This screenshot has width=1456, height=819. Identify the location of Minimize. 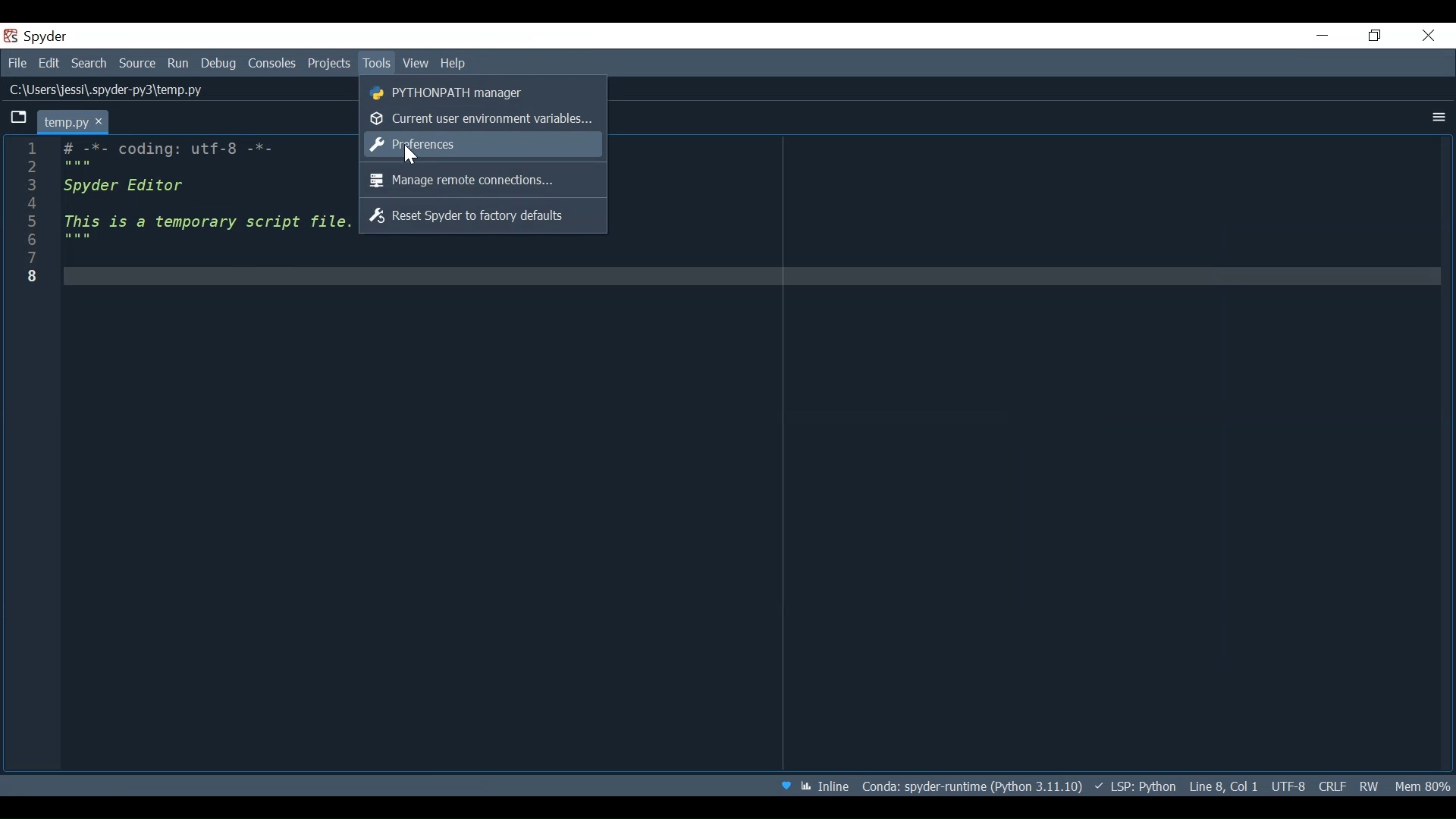
(1323, 35).